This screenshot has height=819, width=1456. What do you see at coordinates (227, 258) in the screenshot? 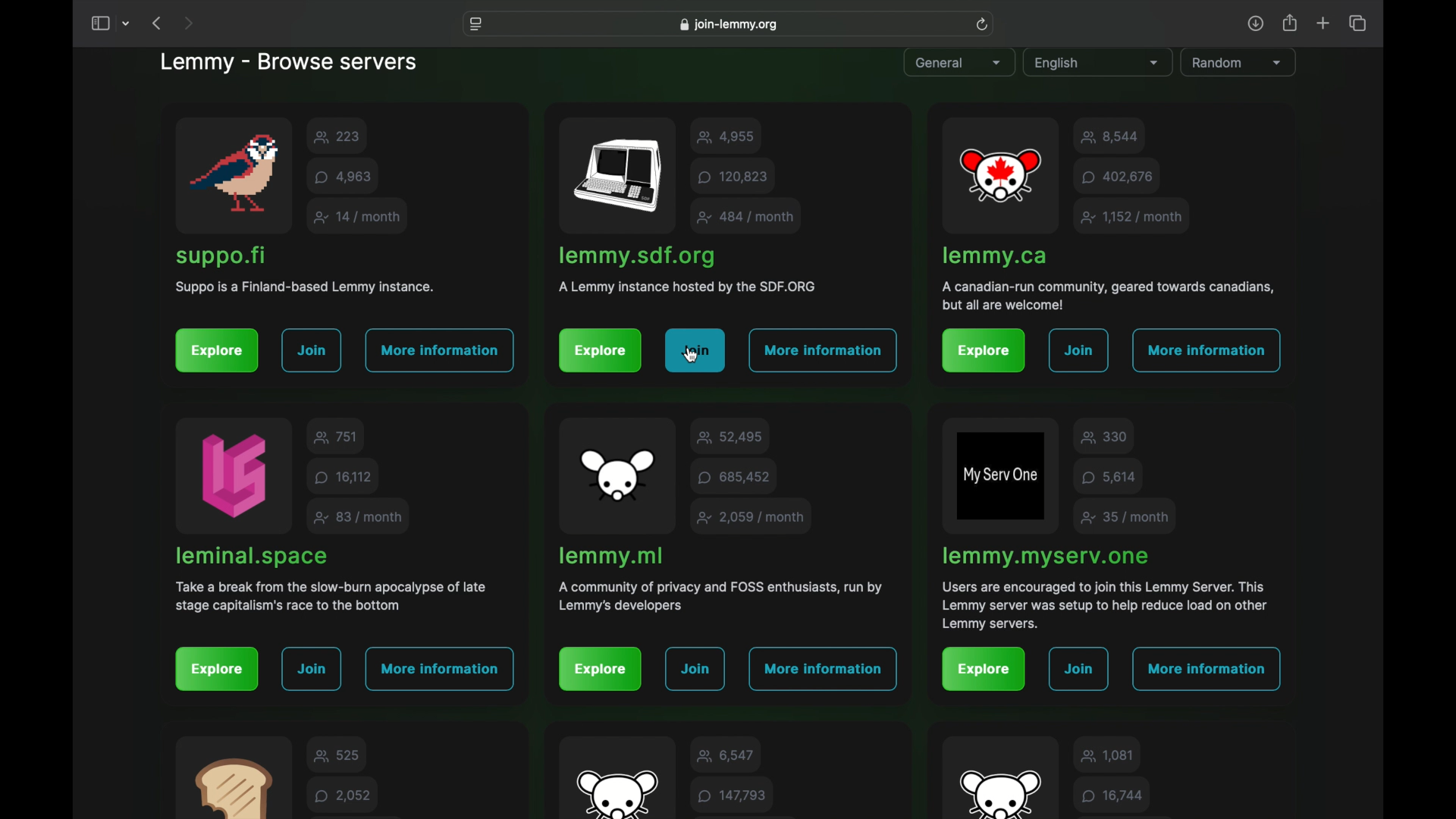
I see `lemmy server` at bounding box center [227, 258].